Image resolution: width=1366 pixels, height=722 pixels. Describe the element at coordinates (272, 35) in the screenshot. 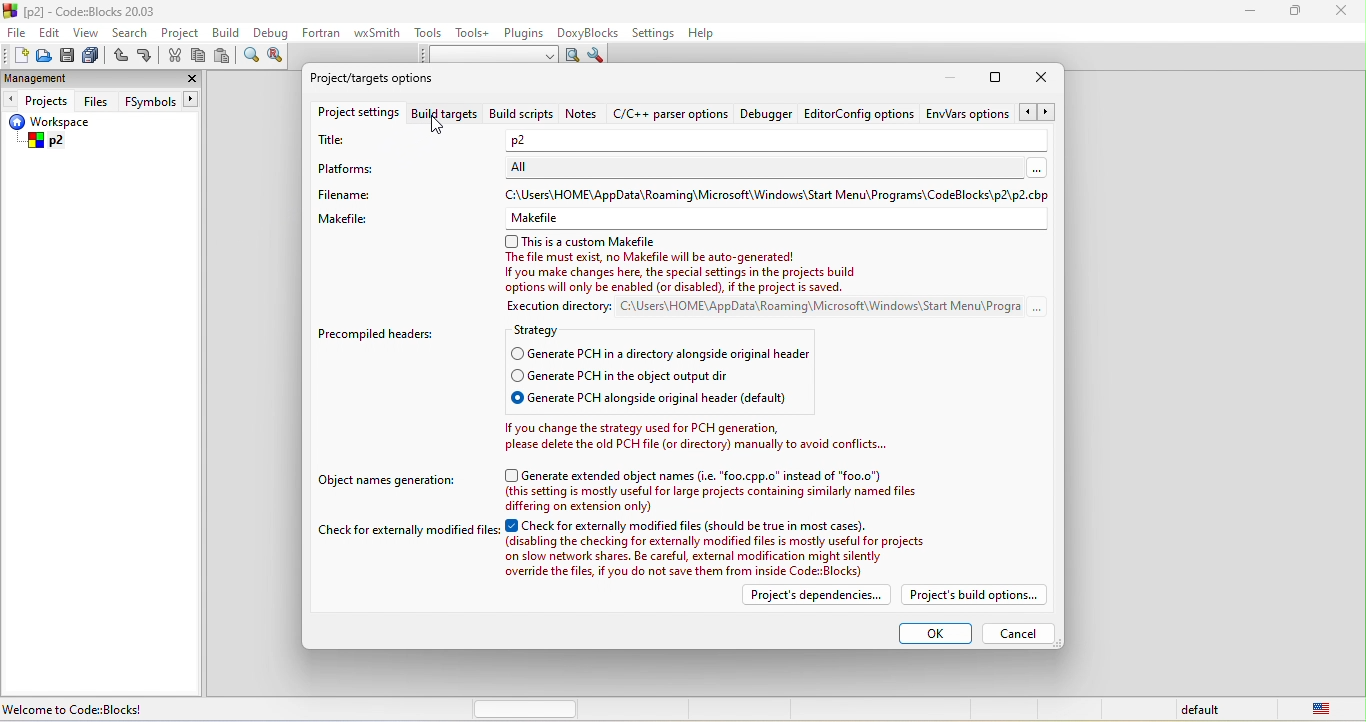

I see `debug` at that location.